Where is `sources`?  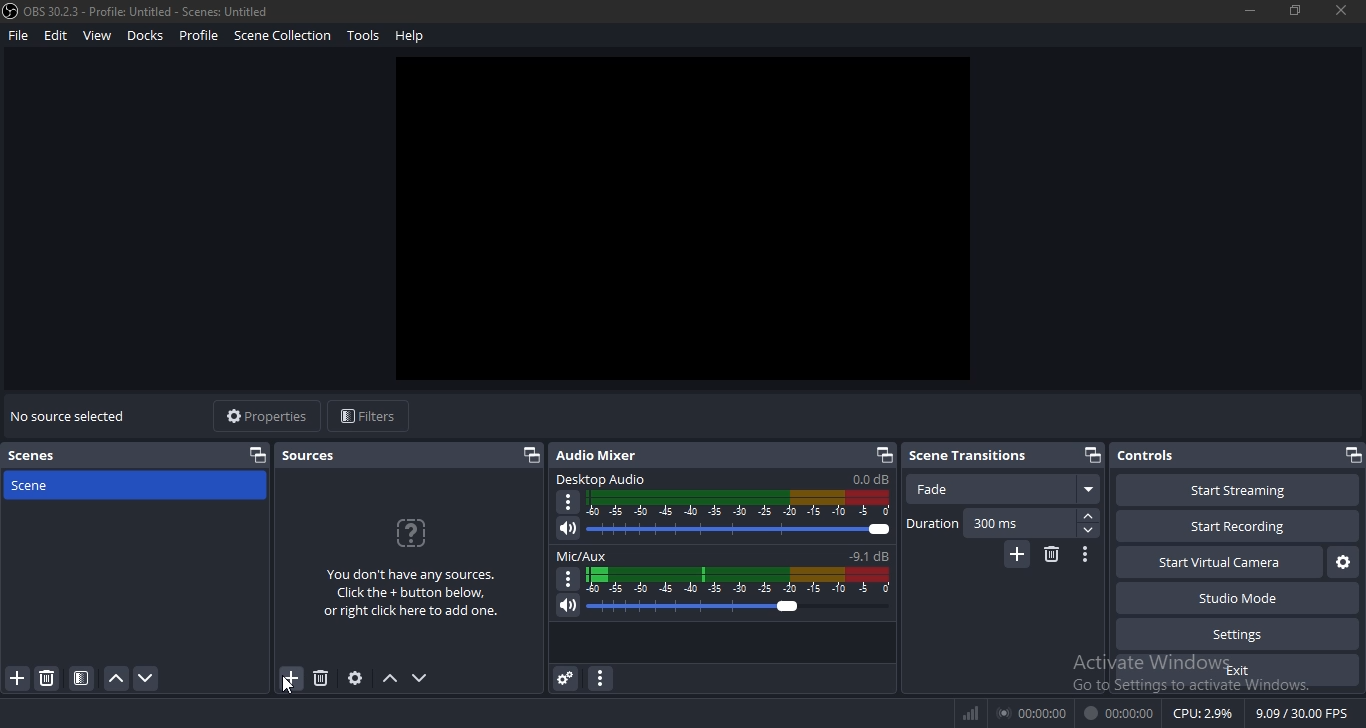 sources is located at coordinates (312, 454).